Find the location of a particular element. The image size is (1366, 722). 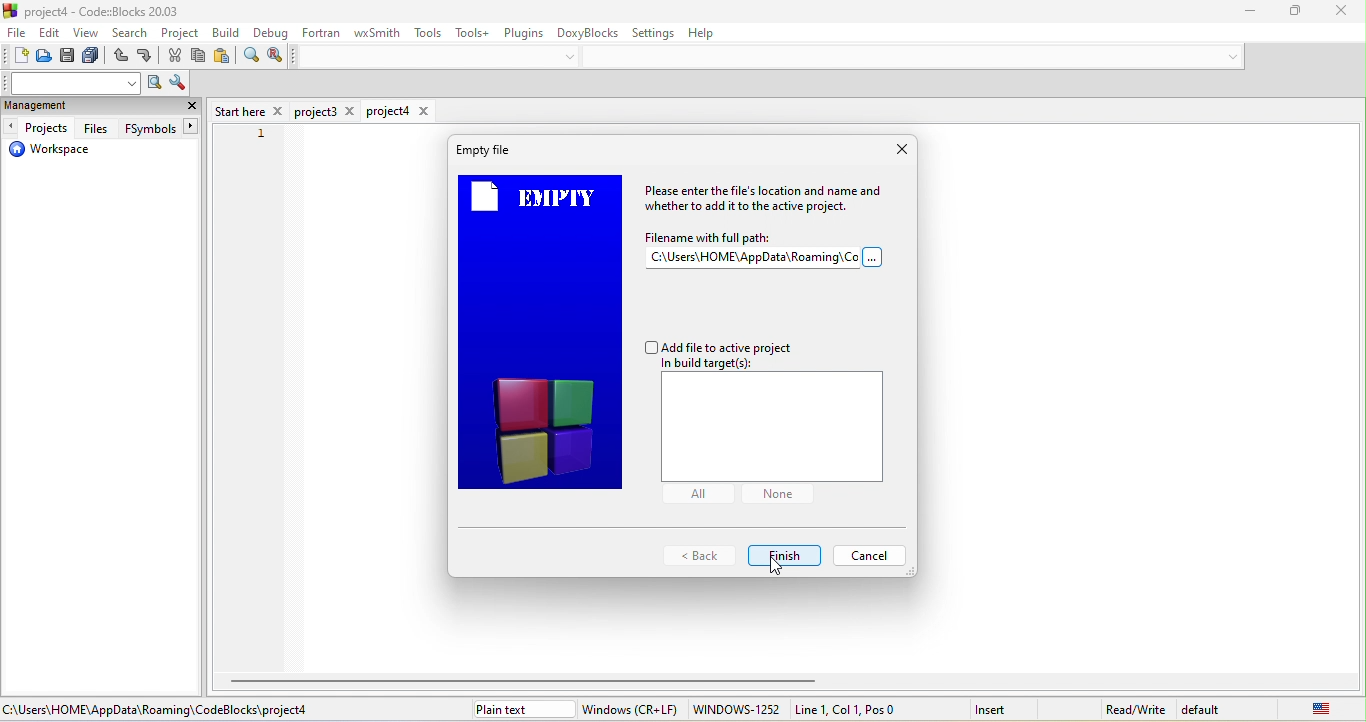

1 is located at coordinates (257, 138).